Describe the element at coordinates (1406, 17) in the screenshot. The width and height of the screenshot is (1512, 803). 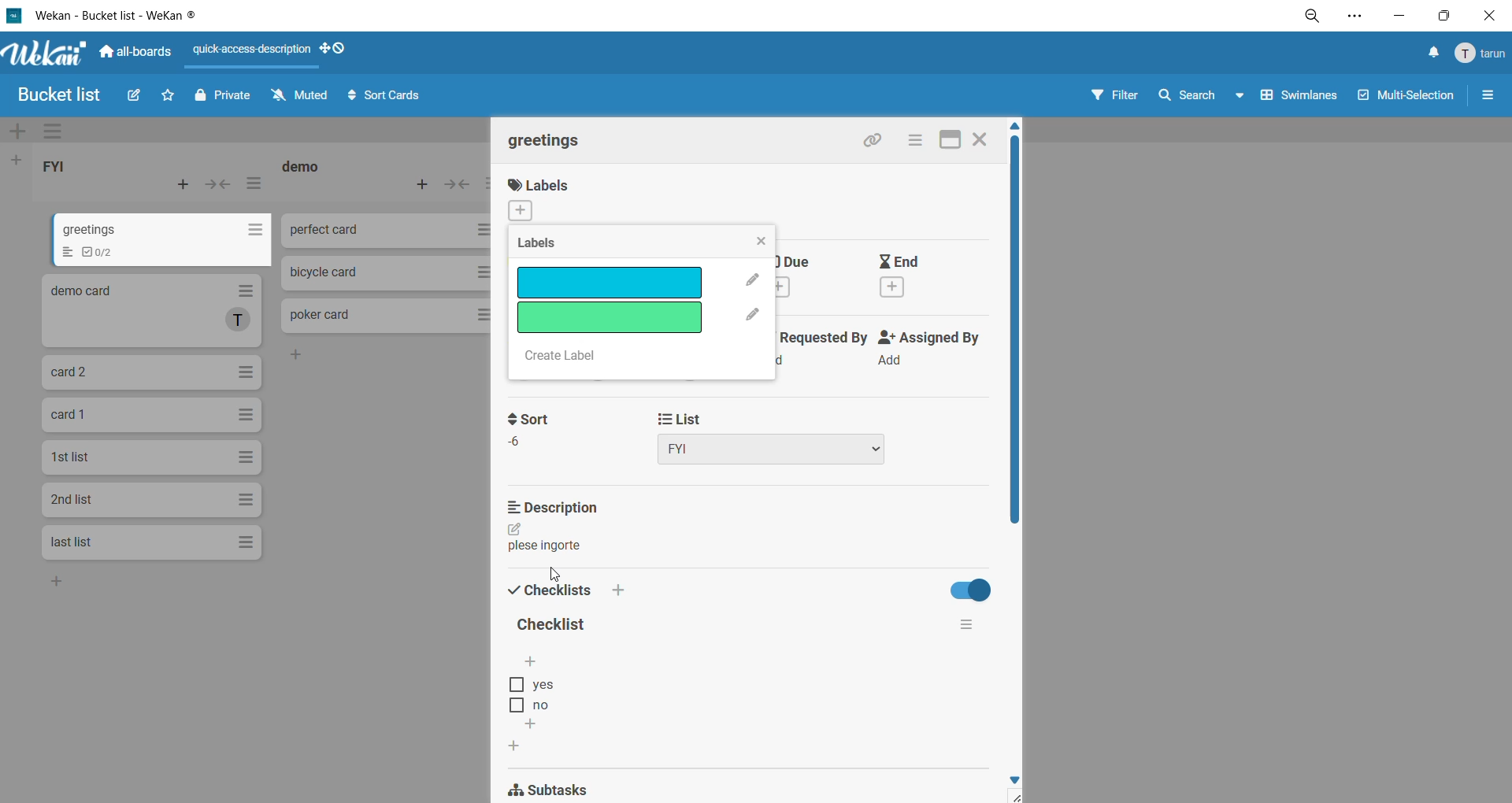
I see `minimize` at that location.